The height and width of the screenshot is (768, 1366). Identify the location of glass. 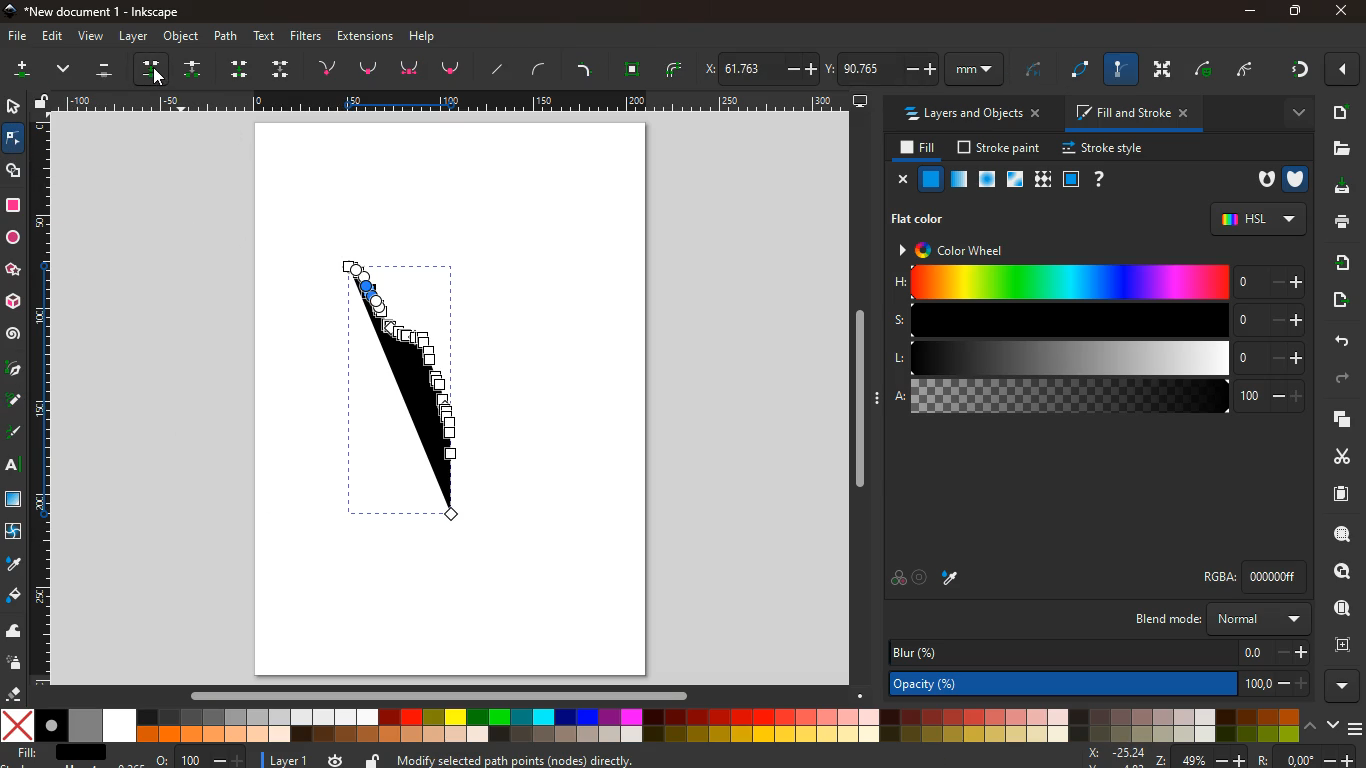
(1017, 180).